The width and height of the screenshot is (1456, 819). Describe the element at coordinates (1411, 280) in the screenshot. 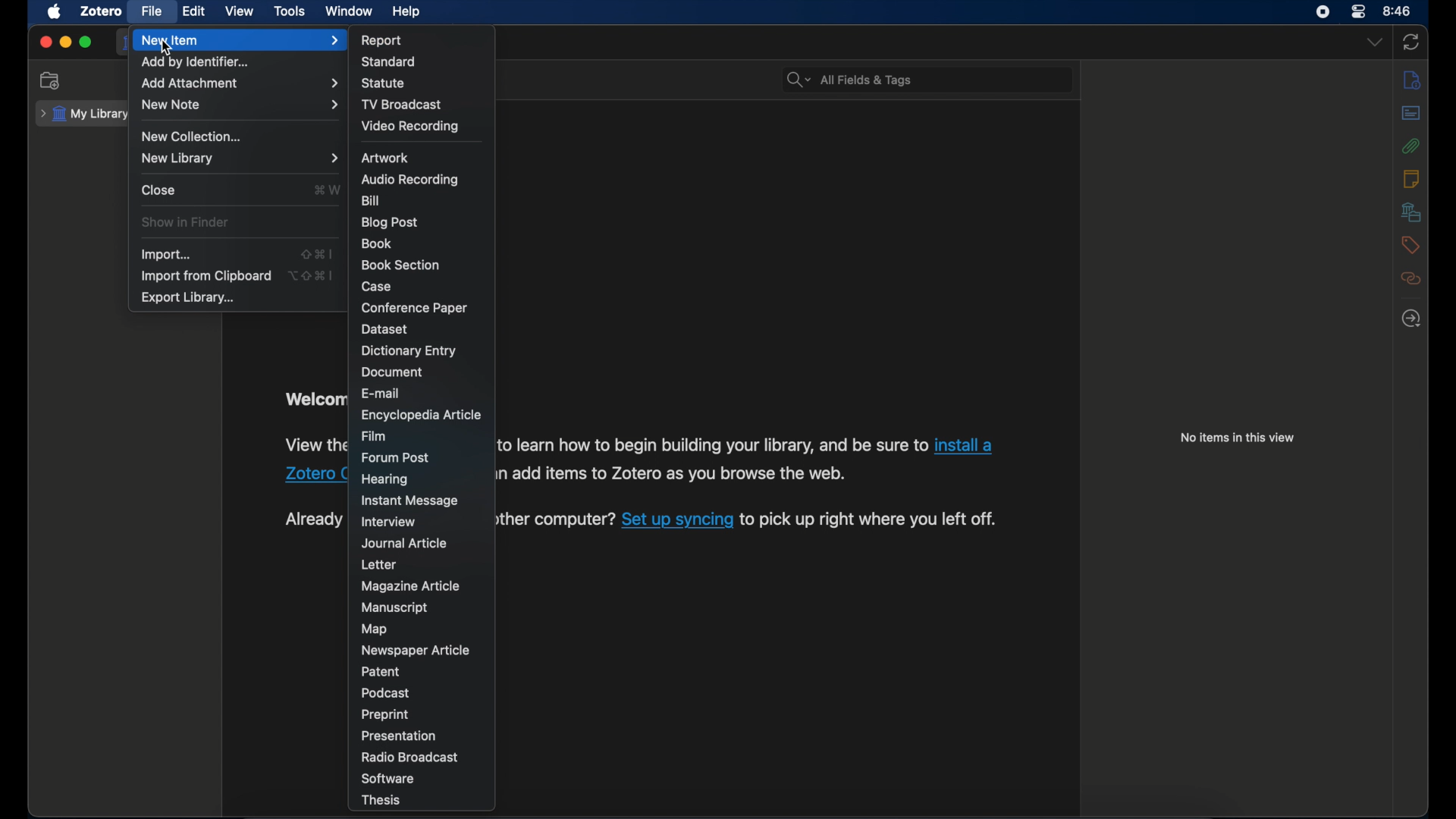

I see `related` at that location.